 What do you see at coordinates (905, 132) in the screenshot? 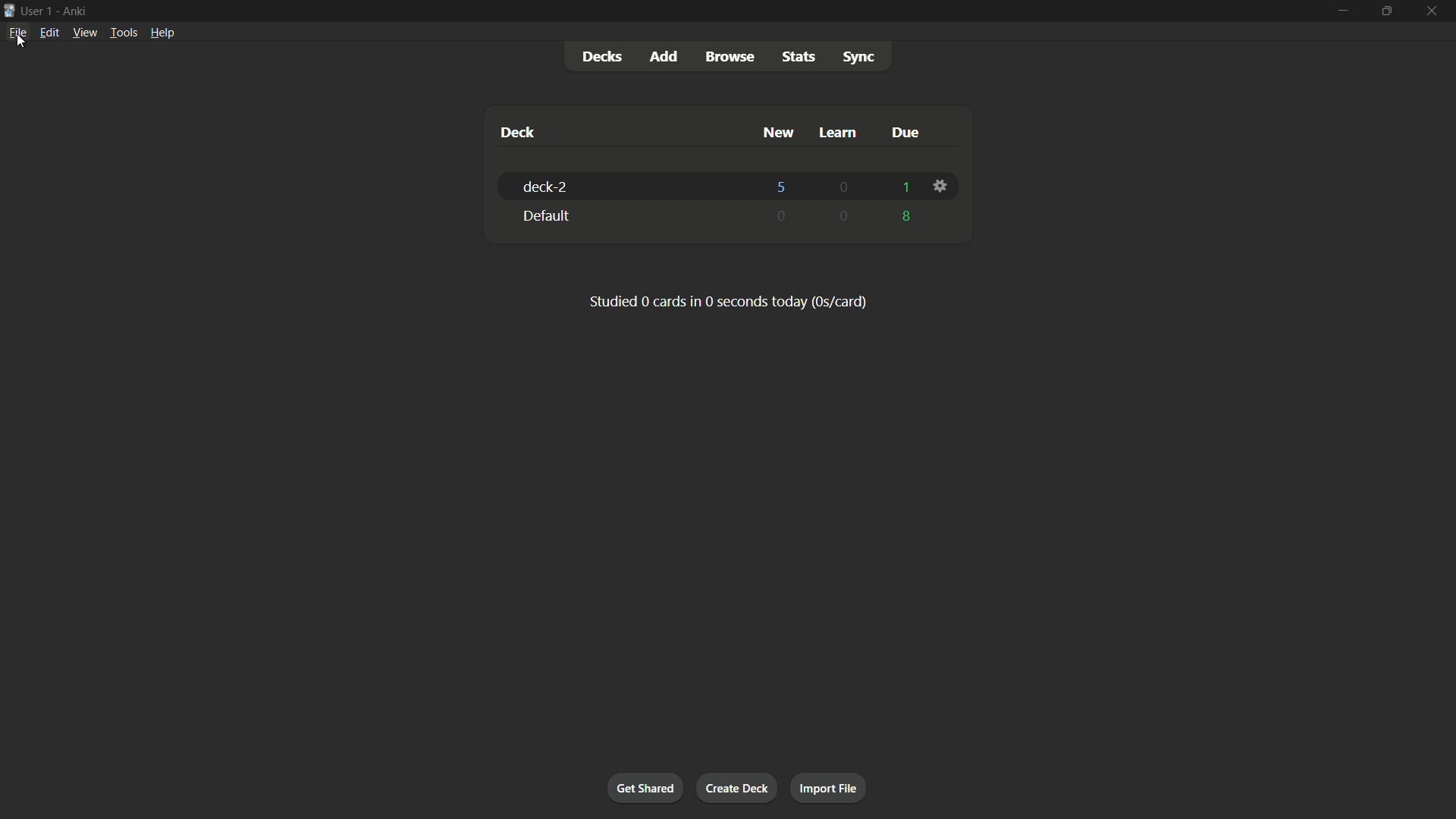
I see `due` at bounding box center [905, 132].